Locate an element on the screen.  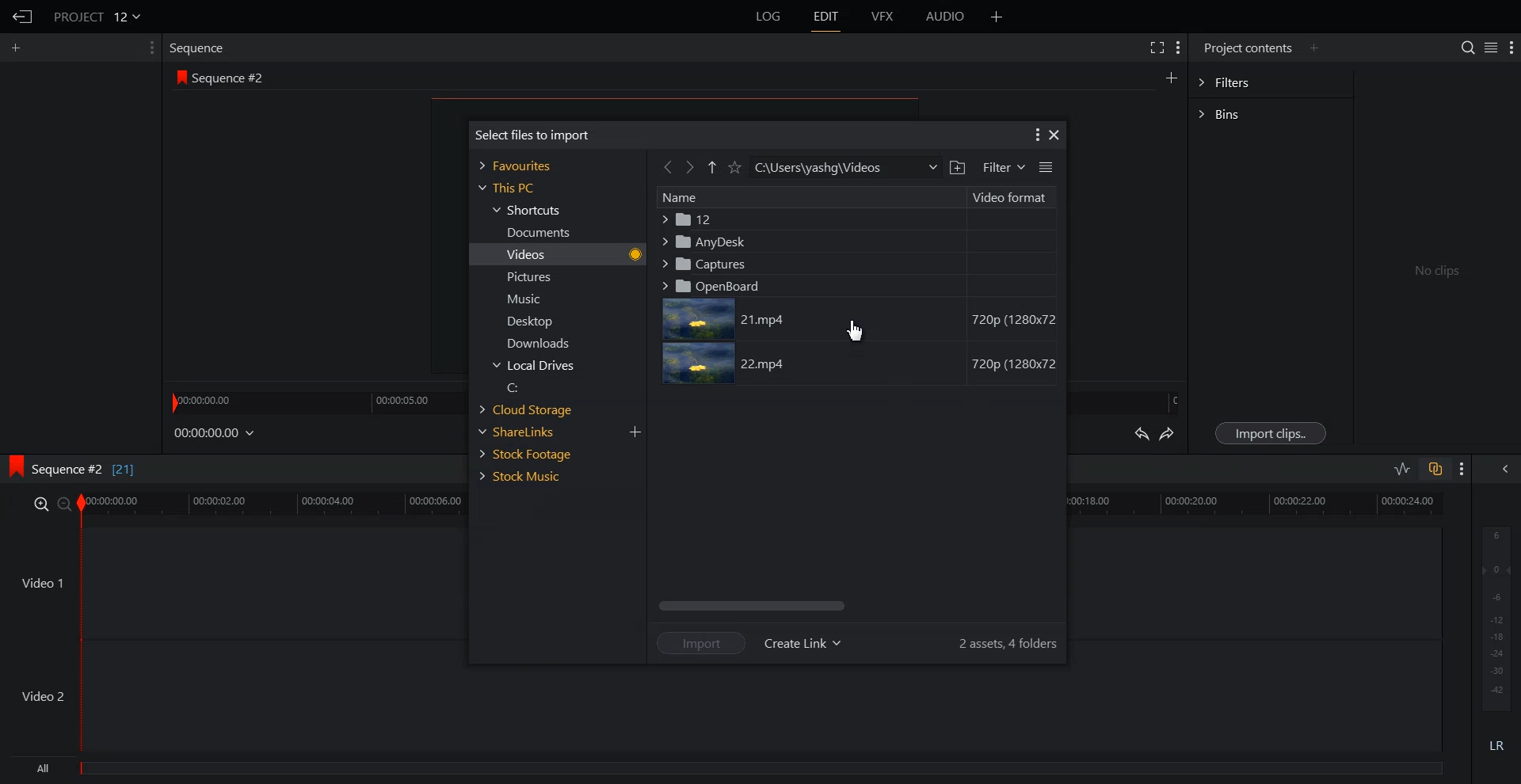
VFX is located at coordinates (883, 17).